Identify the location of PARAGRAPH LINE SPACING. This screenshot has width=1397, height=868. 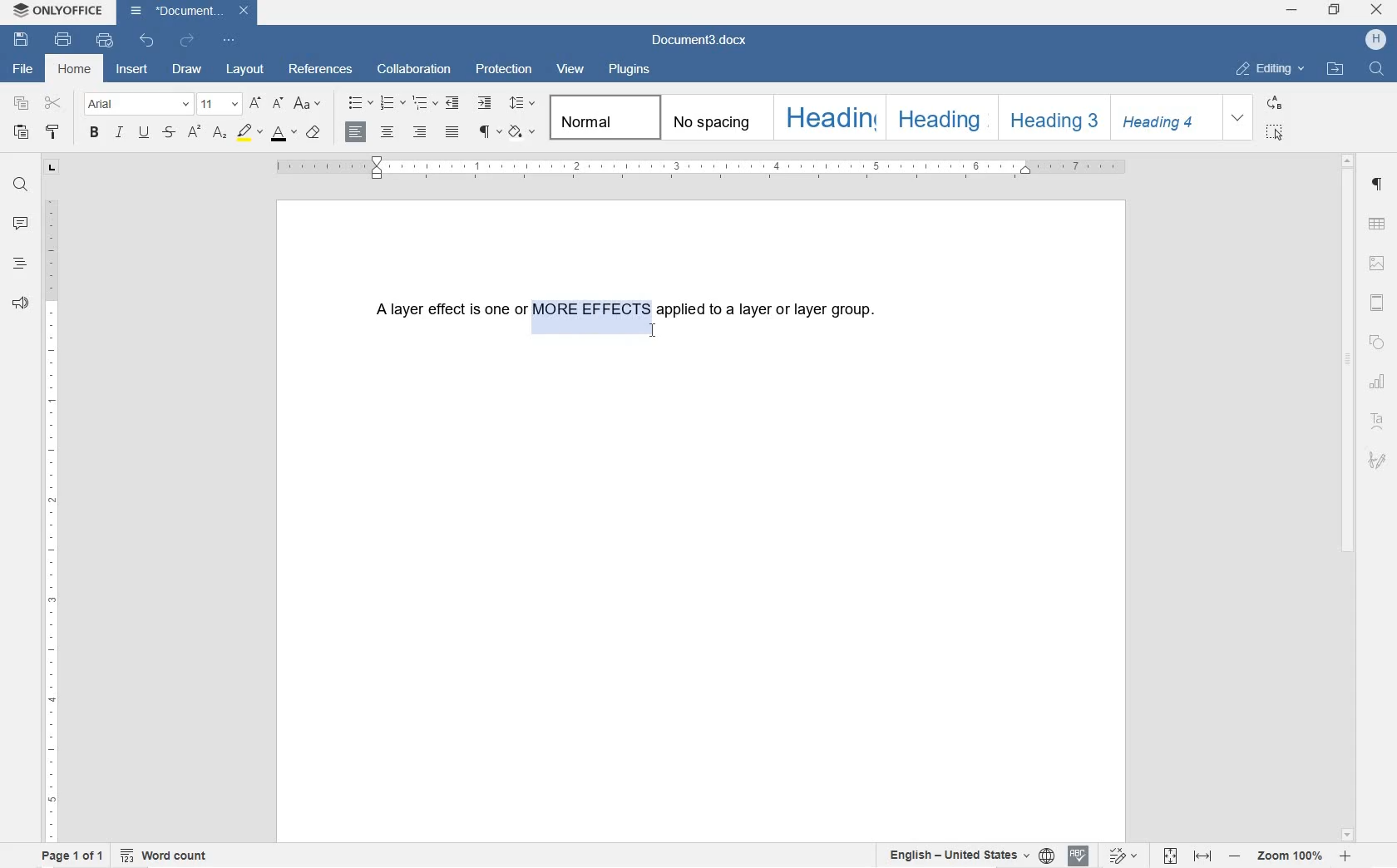
(525, 104).